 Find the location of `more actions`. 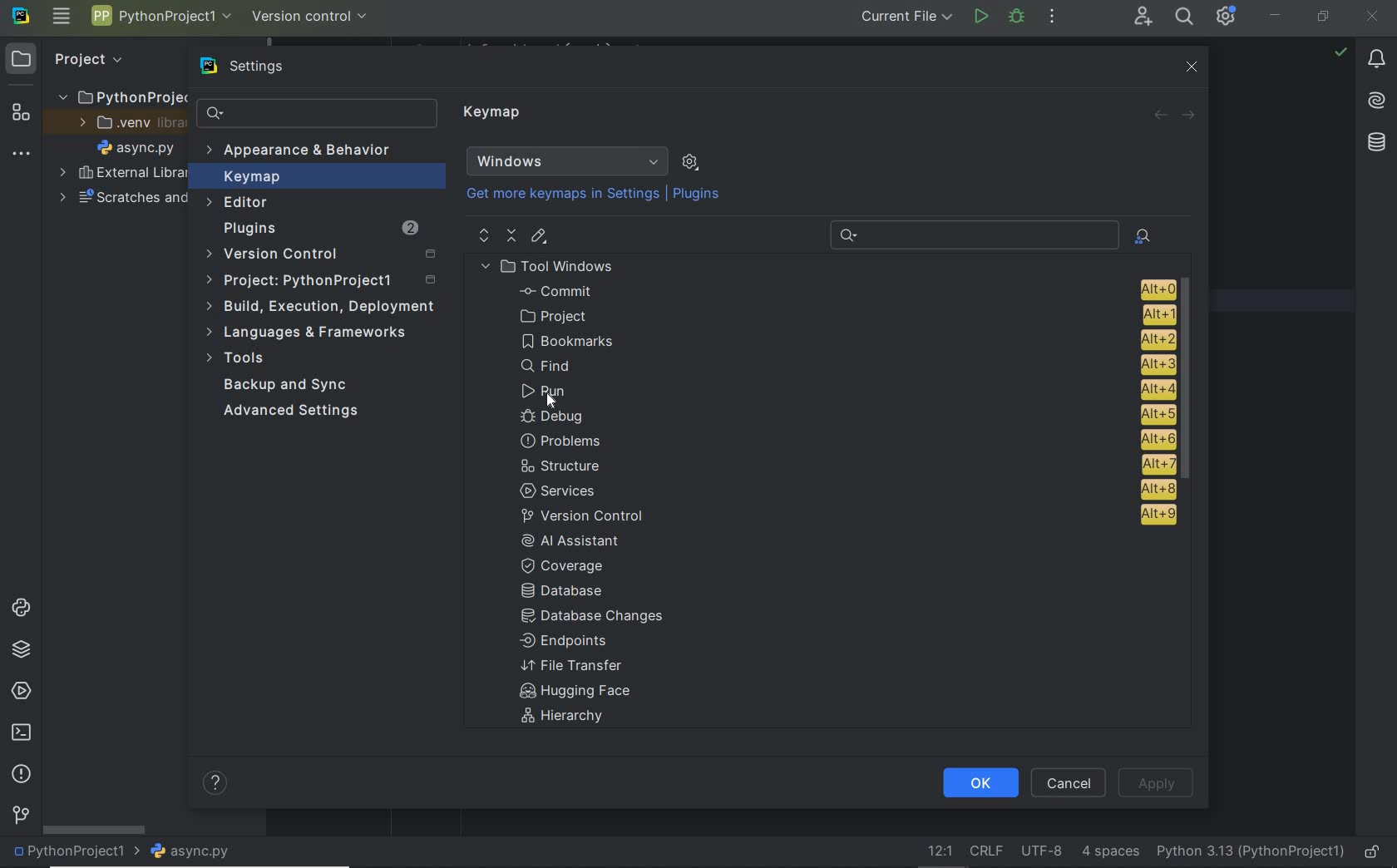

more actions is located at coordinates (1052, 17).